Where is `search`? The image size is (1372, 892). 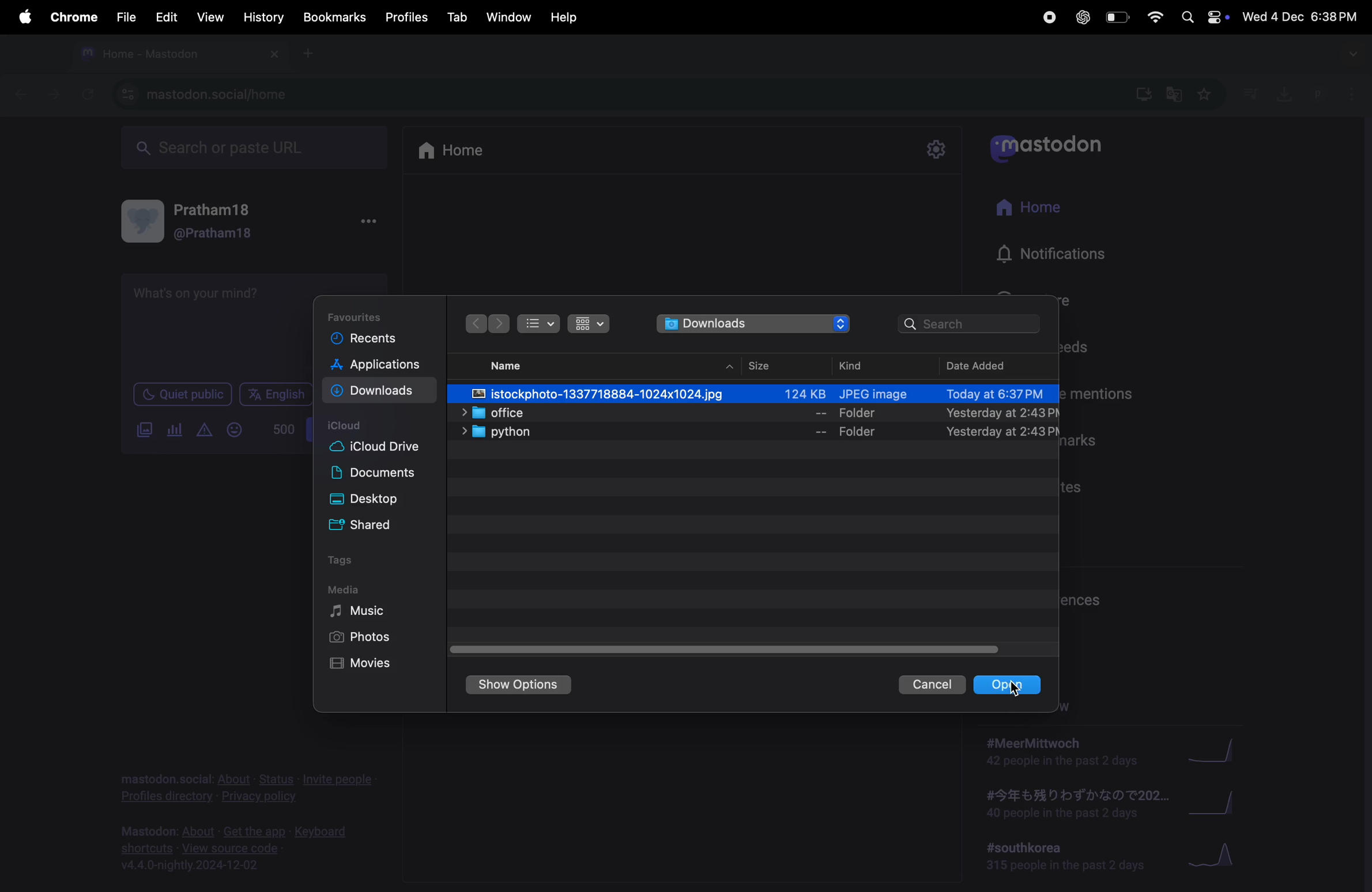 search is located at coordinates (972, 324).